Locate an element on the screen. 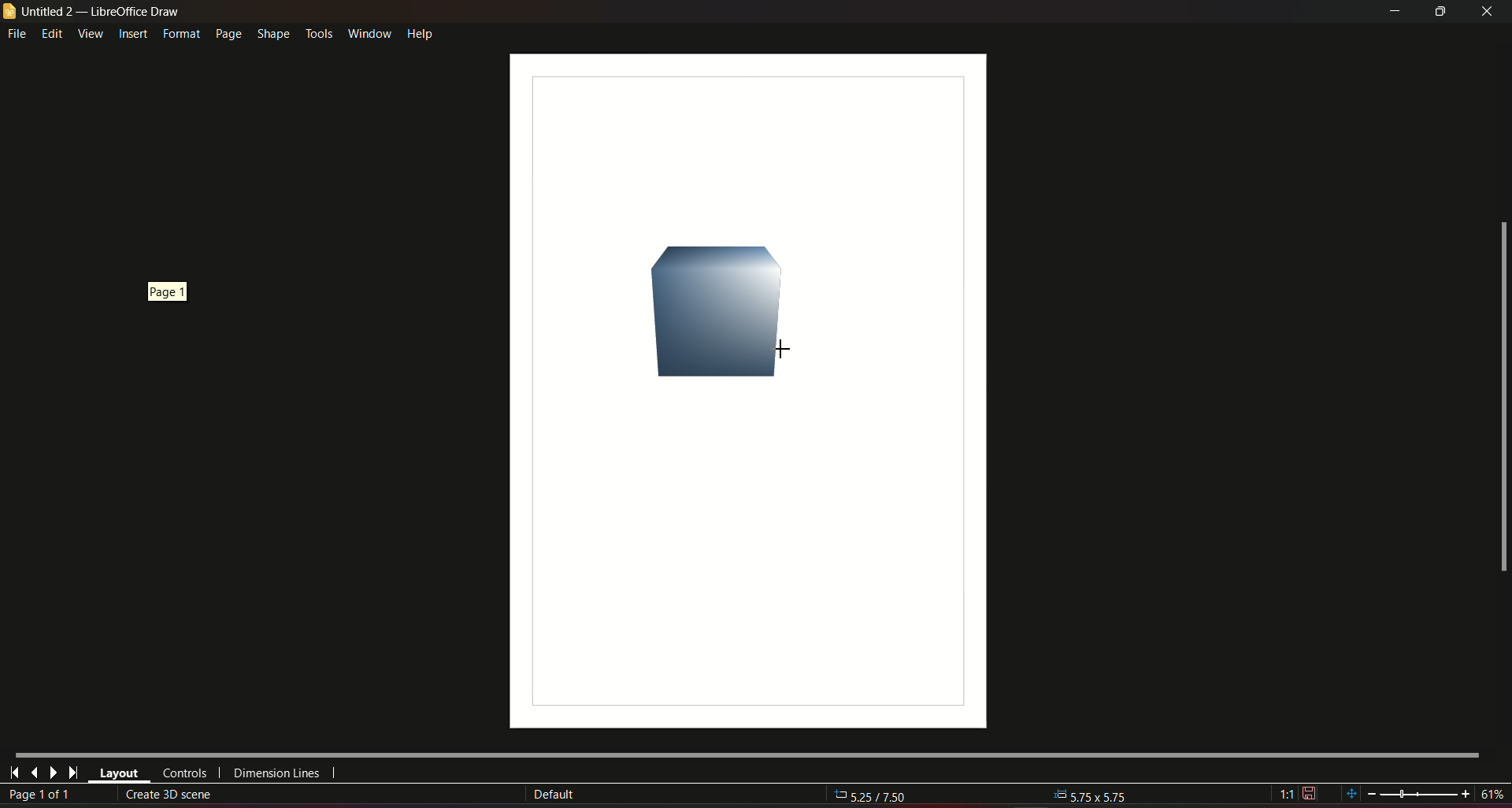  zoom is located at coordinates (1423, 795).